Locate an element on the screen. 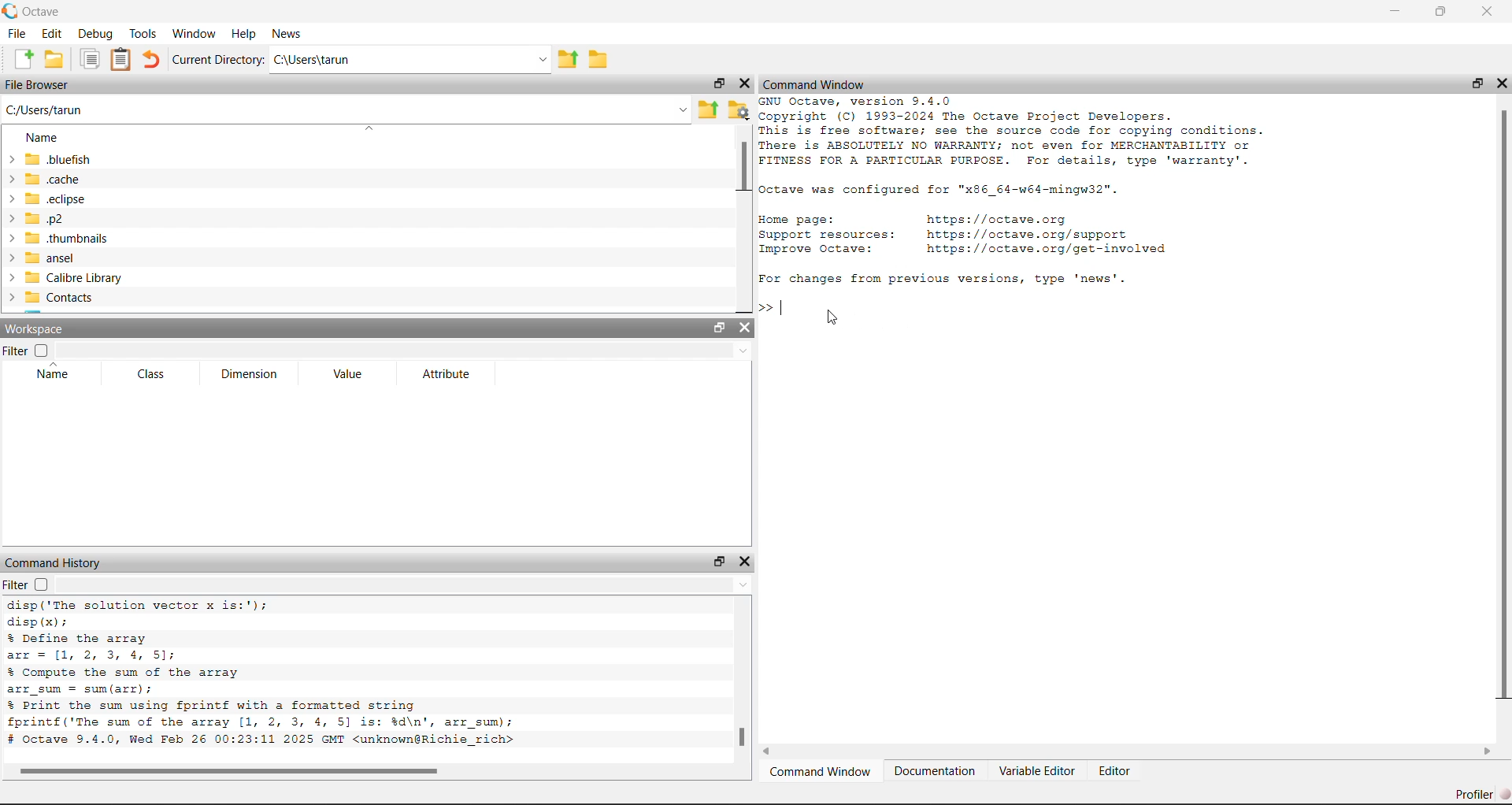  New line is located at coordinates (765, 307).